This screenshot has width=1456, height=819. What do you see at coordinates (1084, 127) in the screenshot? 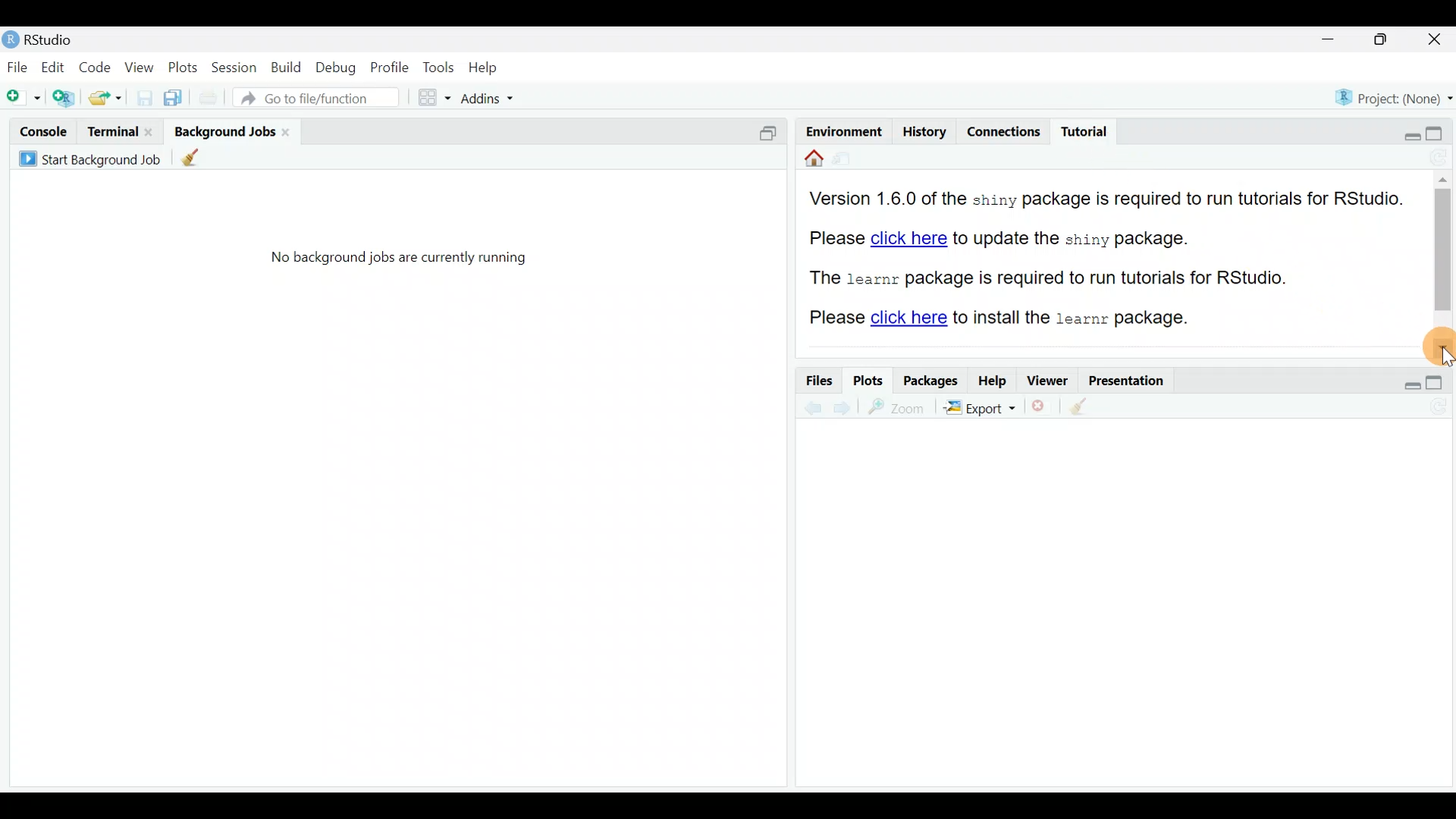
I see `Tutorial` at bounding box center [1084, 127].